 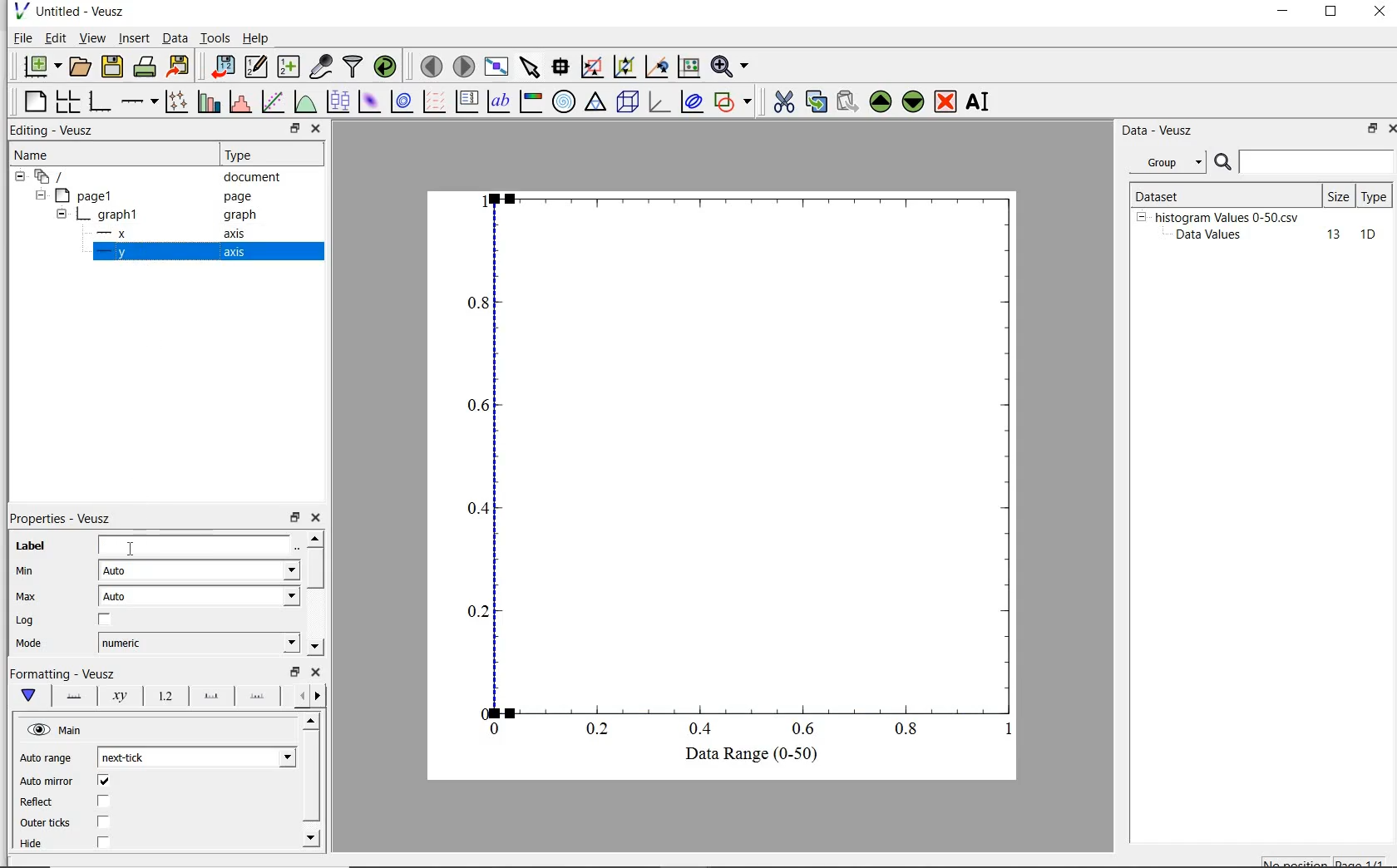 What do you see at coordinates (239, 254) in the screenshot?
I see `axis` at bounding box center [239, 254].